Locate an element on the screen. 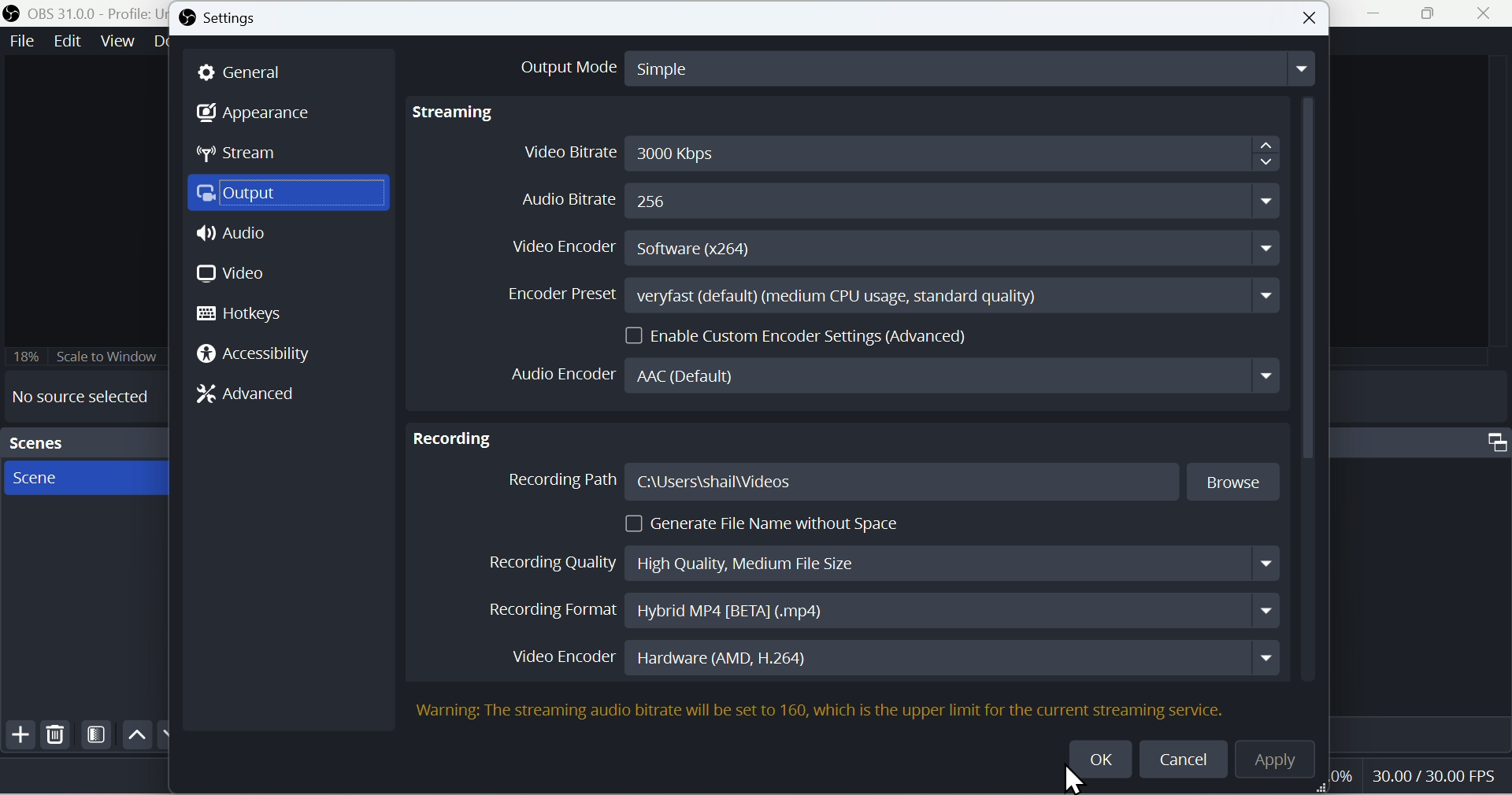 The image size is (1512, 795). Video Bitrate is located at coordinates (898, 152).